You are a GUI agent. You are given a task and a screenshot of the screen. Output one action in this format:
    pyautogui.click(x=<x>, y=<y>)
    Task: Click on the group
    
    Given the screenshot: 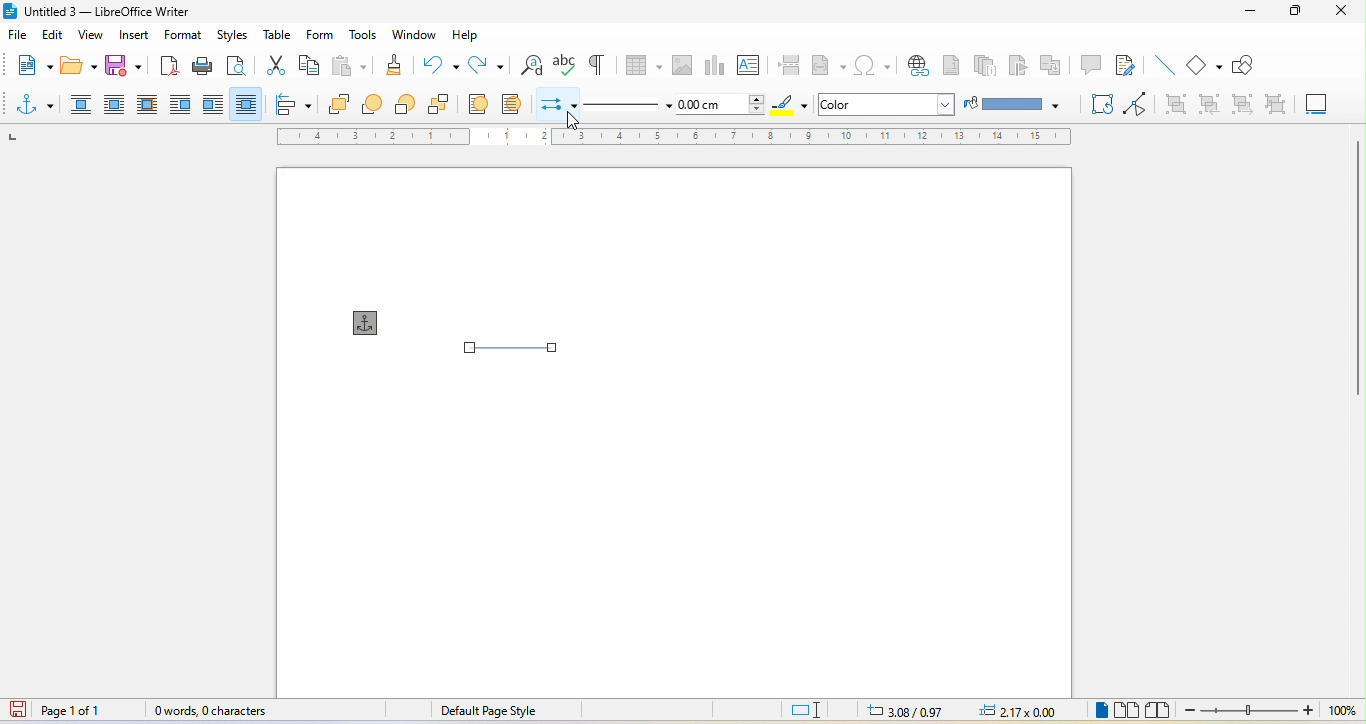 What is the action you would take?
    pyautogui.click(x=1175, y=103)
    